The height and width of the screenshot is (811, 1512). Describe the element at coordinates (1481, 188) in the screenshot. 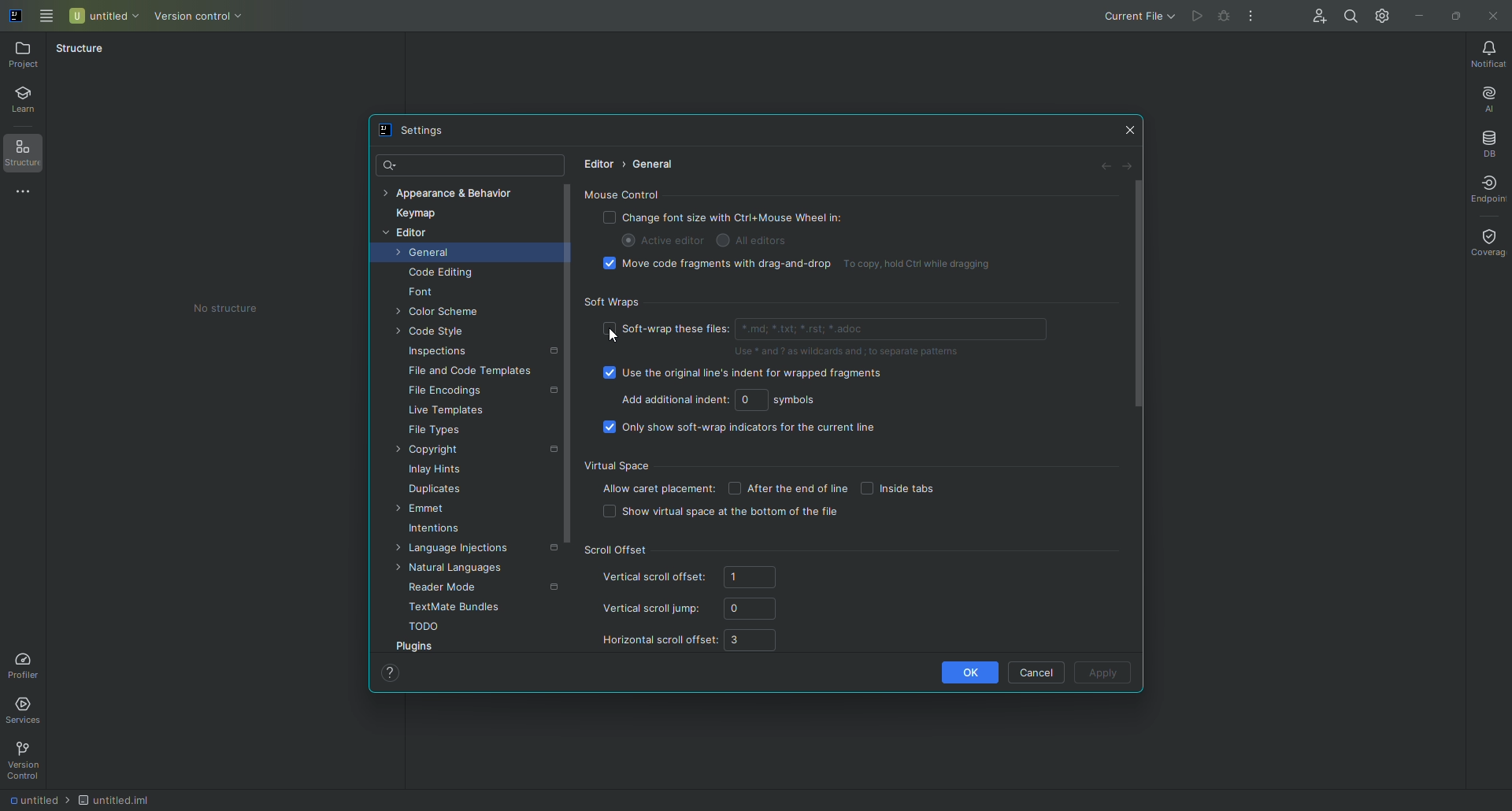

I see `Endpoint` at that location.